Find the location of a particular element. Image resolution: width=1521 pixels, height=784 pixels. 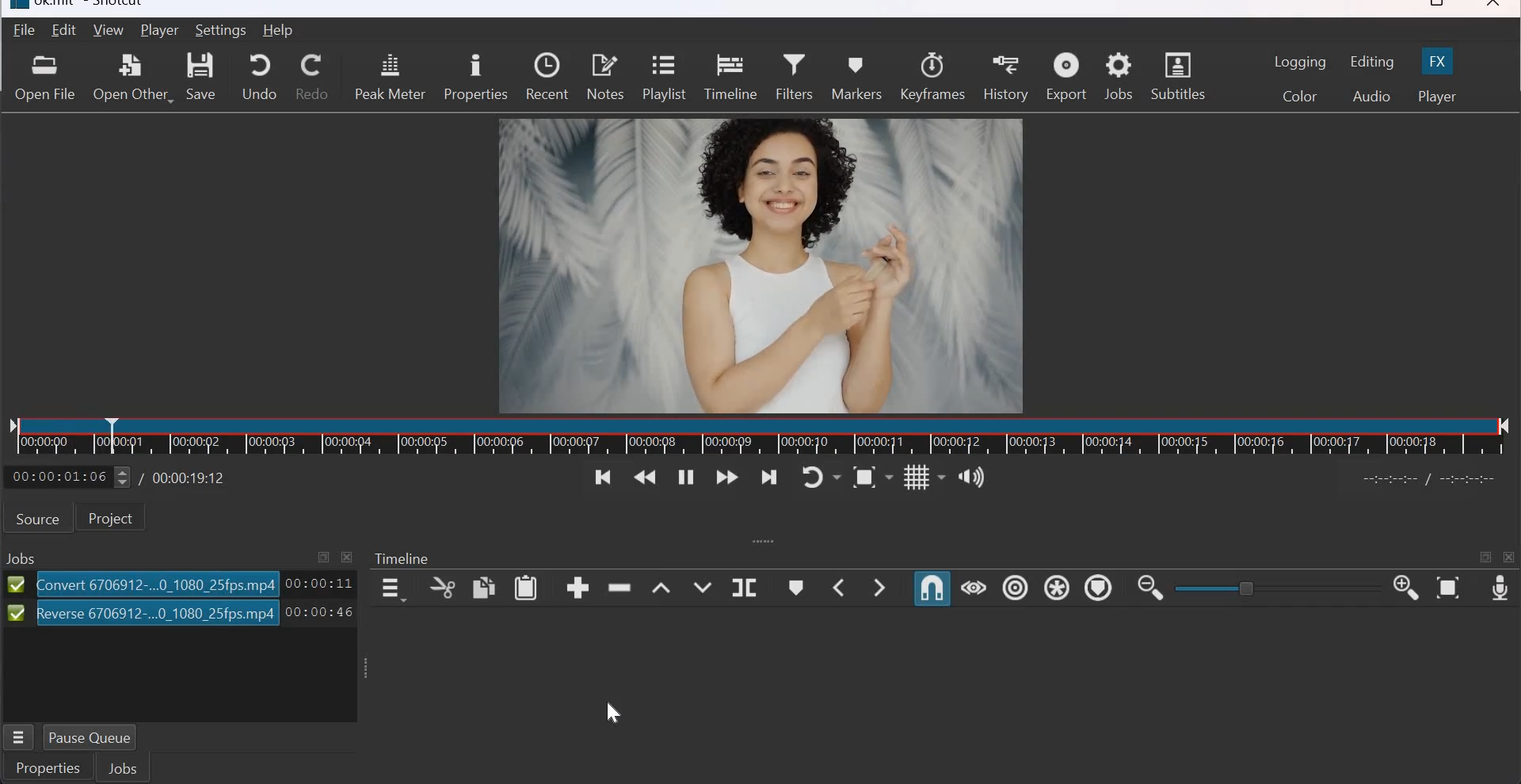

Ripple is located at coordinates (1015, 588).